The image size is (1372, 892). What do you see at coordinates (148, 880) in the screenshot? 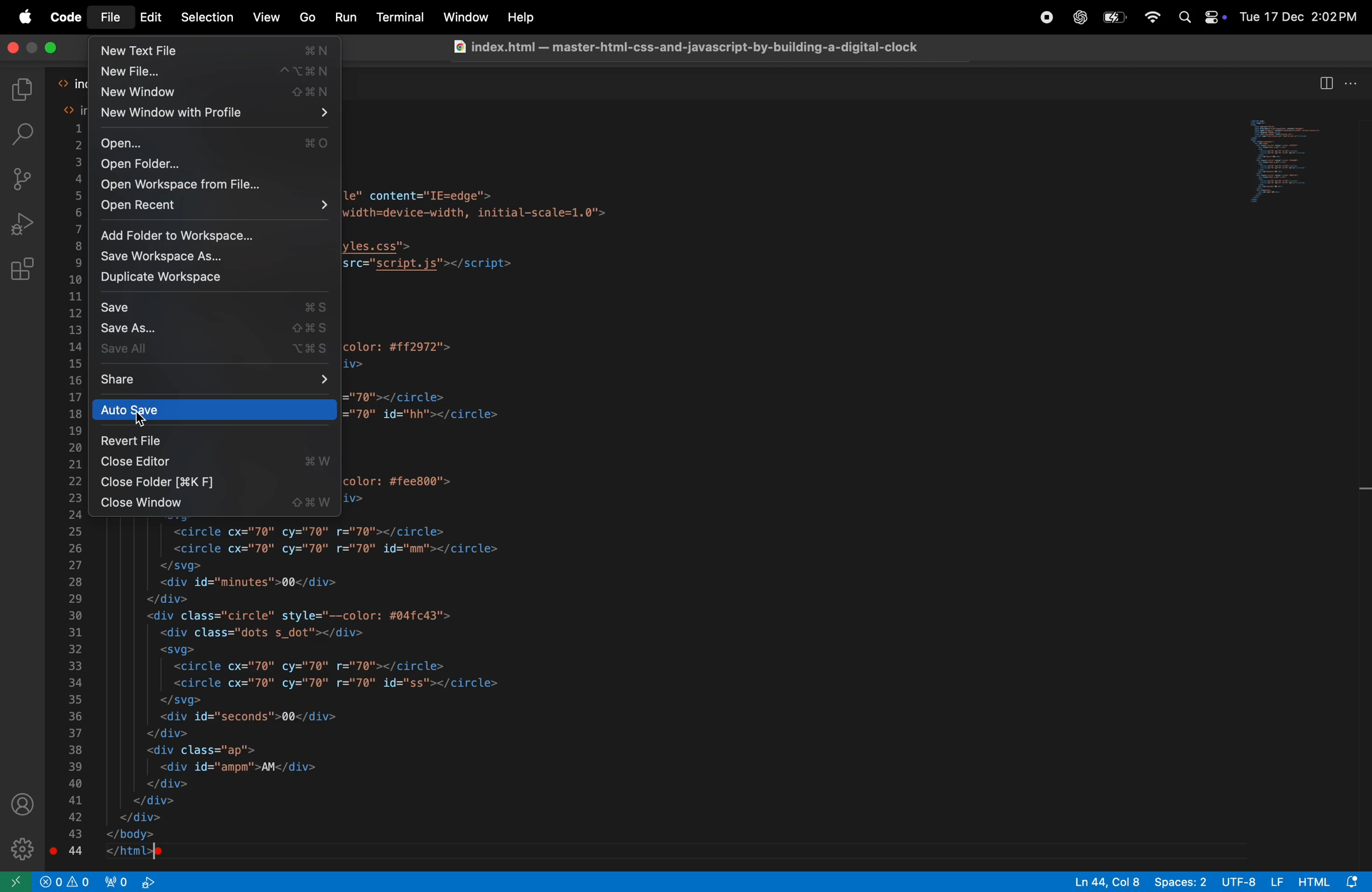
I see `view port` at bounding box center [148, 880].